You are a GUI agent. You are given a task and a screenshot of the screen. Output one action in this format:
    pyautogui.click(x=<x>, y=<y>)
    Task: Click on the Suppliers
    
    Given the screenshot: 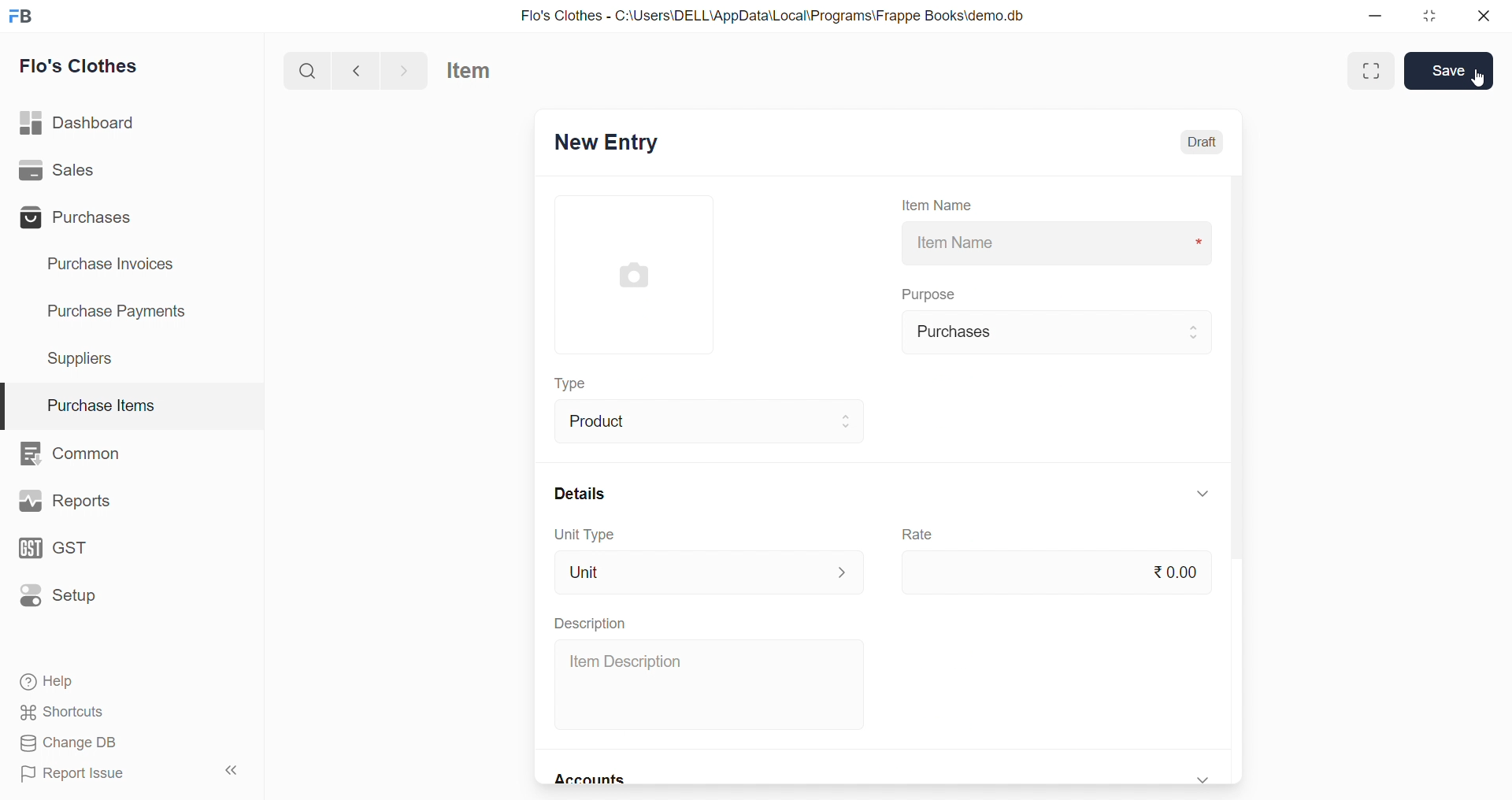 What is the action you would take?
    pyautogui.click(x=87, y=357)
    